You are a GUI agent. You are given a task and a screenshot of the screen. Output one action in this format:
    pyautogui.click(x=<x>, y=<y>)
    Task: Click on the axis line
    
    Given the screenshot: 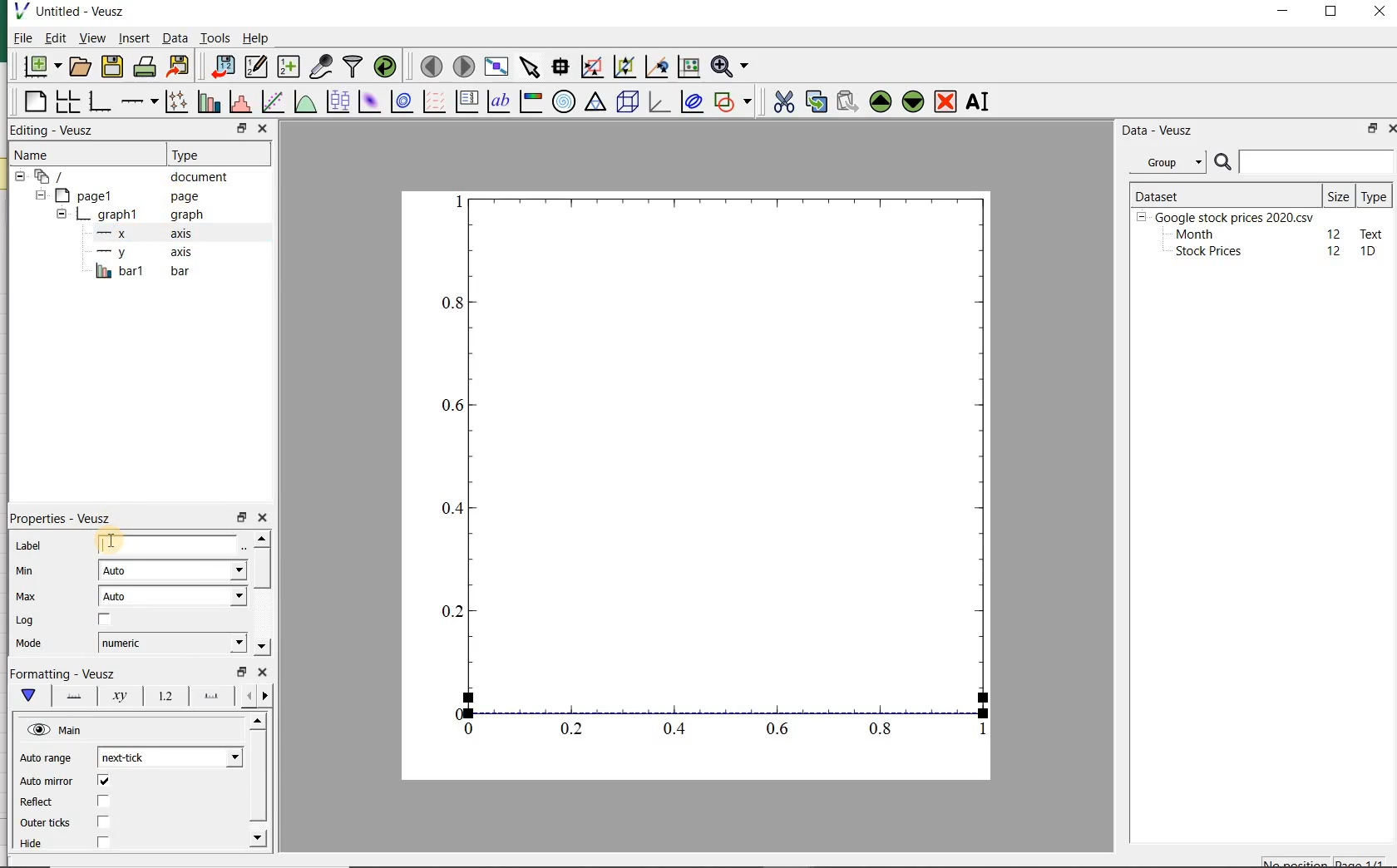 What is the action you would take?
    pyautogui.click(x=70, y=695)
    